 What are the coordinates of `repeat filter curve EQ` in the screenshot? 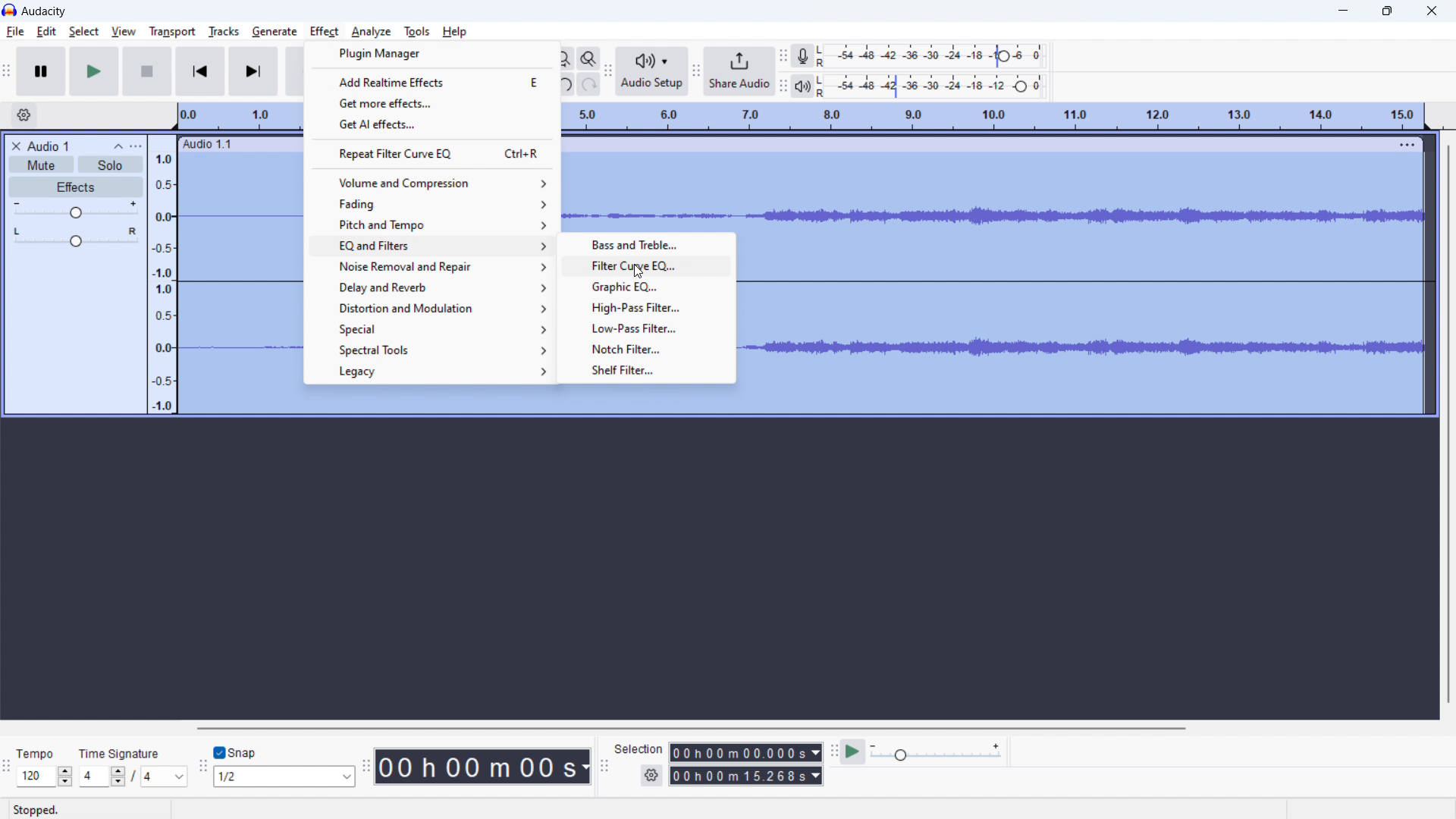 It's located at (432, 153).